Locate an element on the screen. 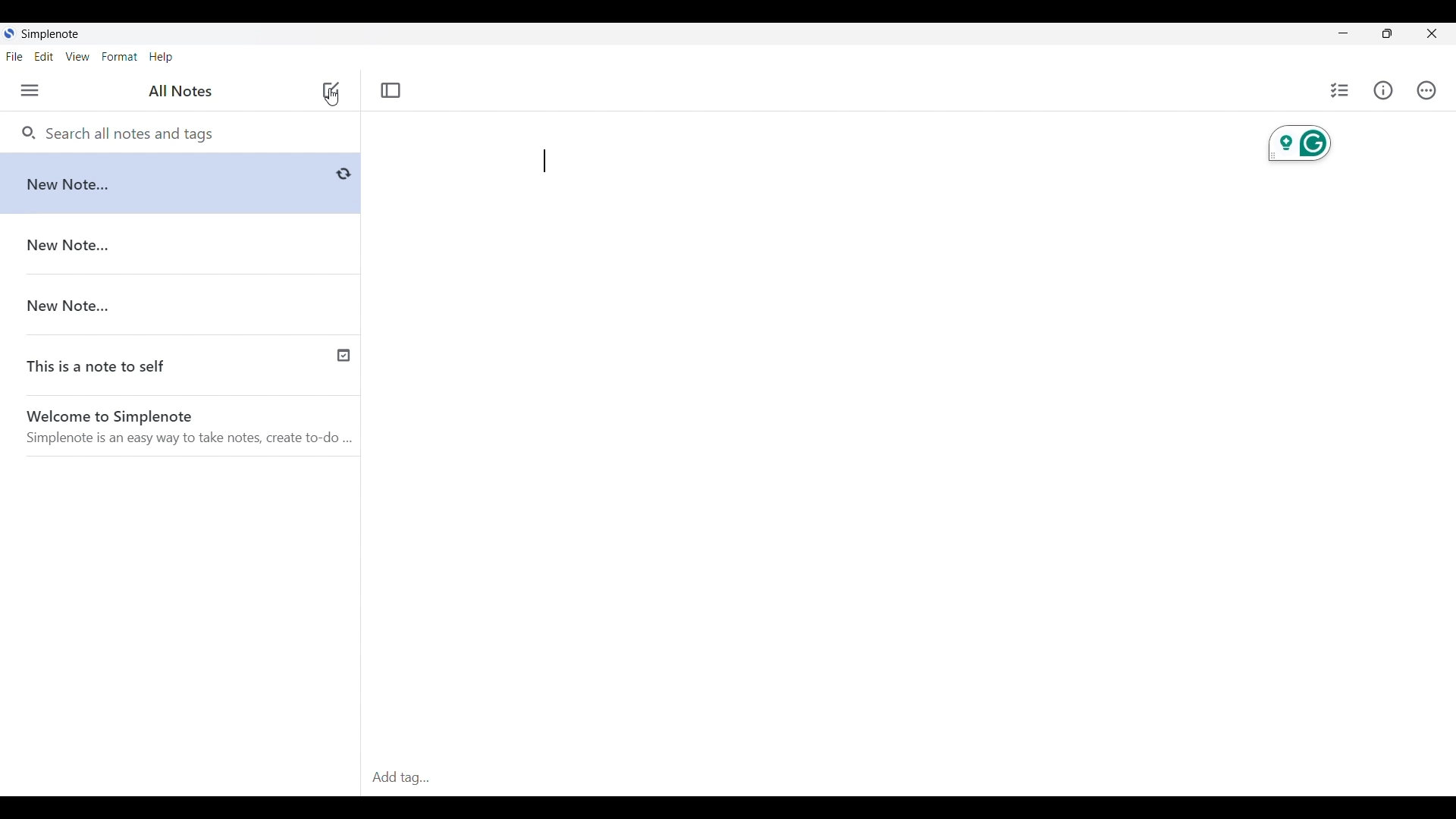  This is a note to self is located at coordinates (125, 367).